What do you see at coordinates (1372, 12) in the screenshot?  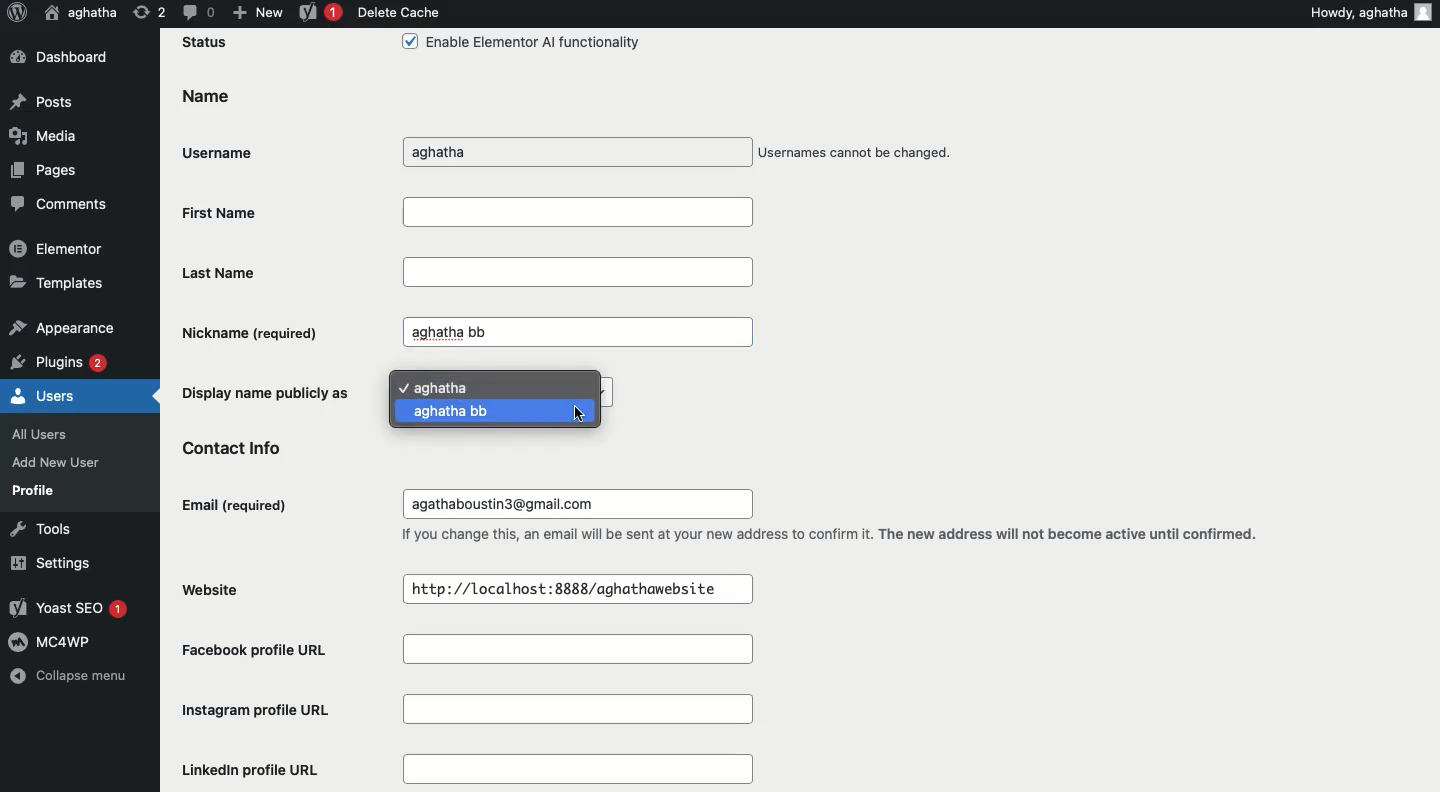 I see `Howdy, aghatha` at bounding box center [1372, 12].